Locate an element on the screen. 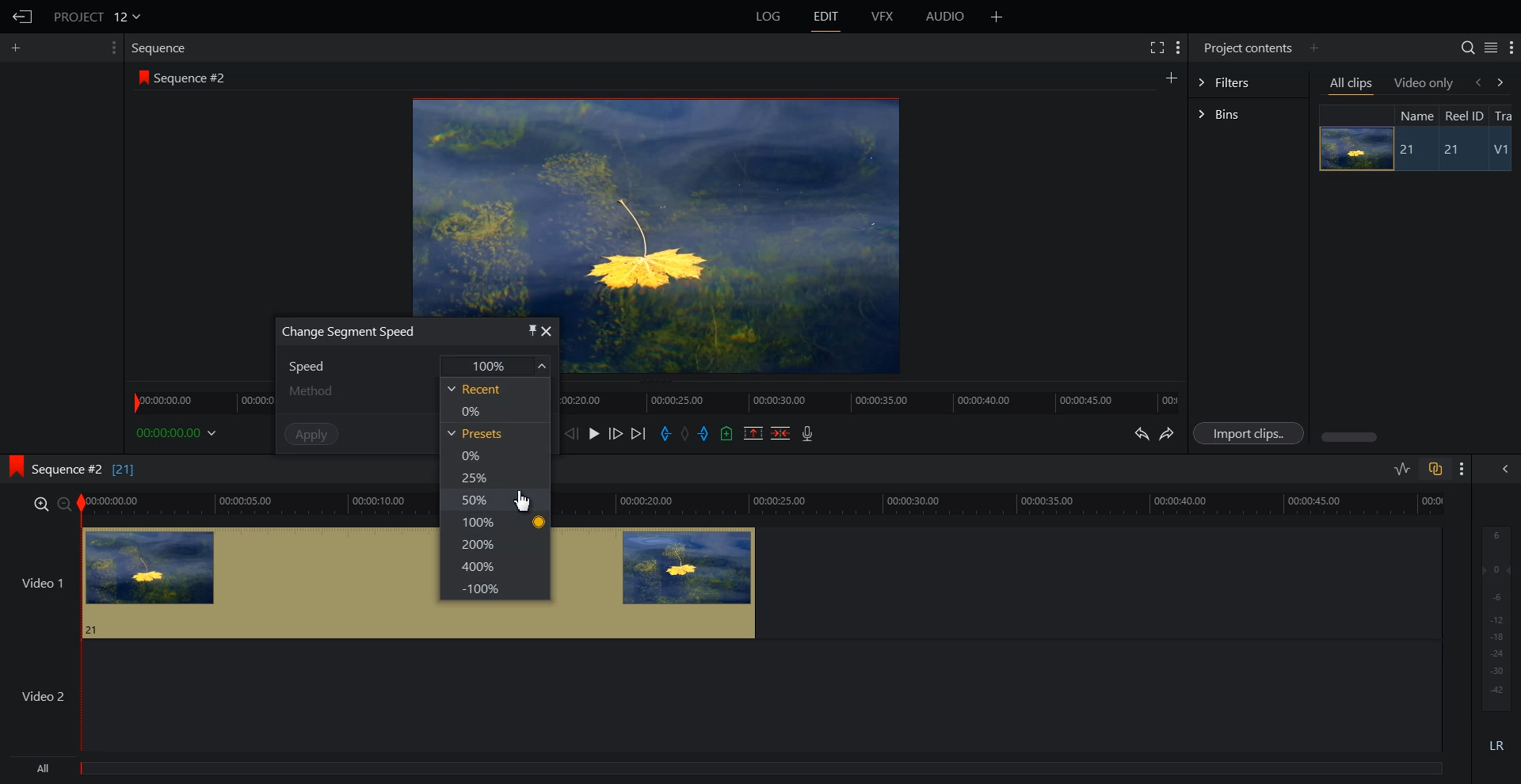 The image size is (1521, 784). 00:00:00.00 is located at coordinates (179, 432).